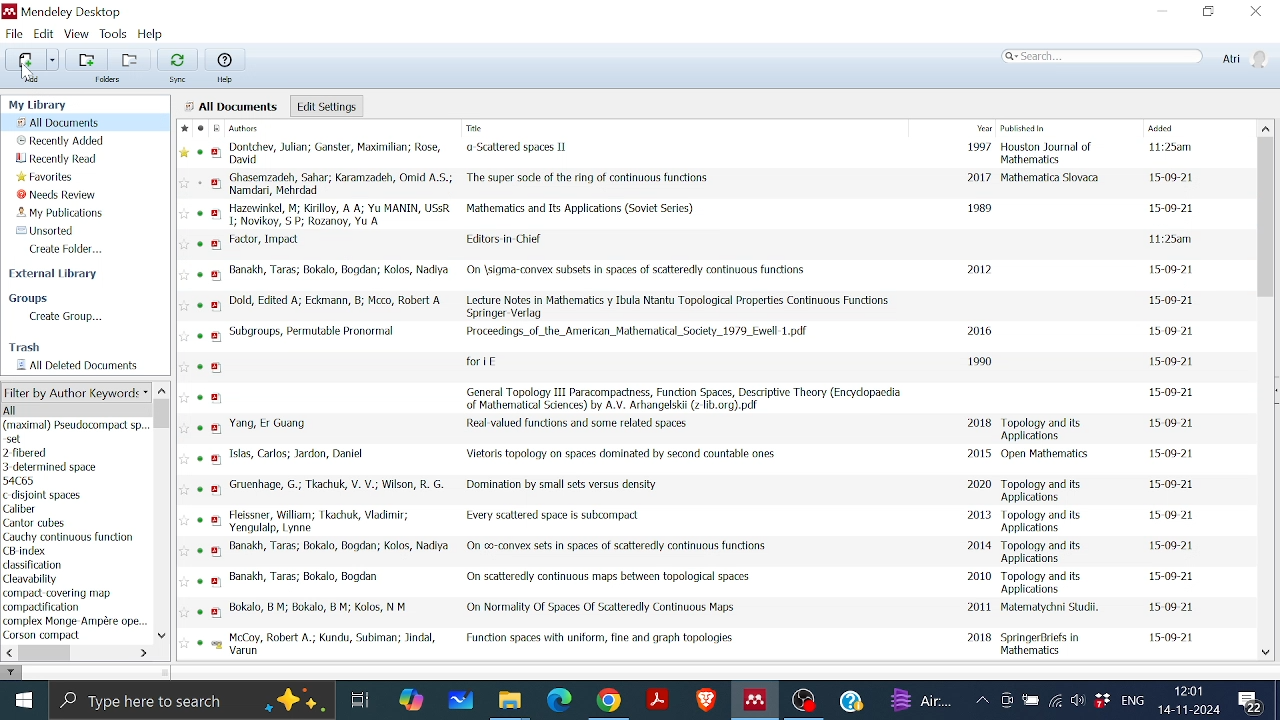  What do you see at coordinates (315, 332) in the screenshot?
I see `Autho` at bounding box center [315, 332].